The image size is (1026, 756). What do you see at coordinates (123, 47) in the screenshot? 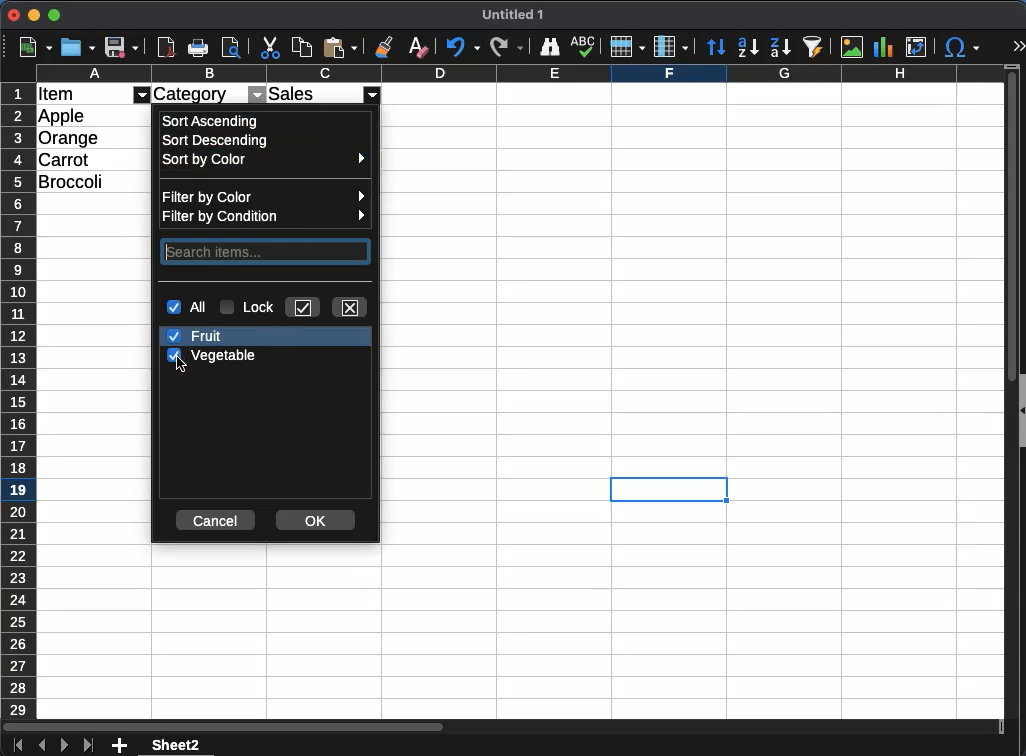
I see `save` at bounding box center [123, 47].